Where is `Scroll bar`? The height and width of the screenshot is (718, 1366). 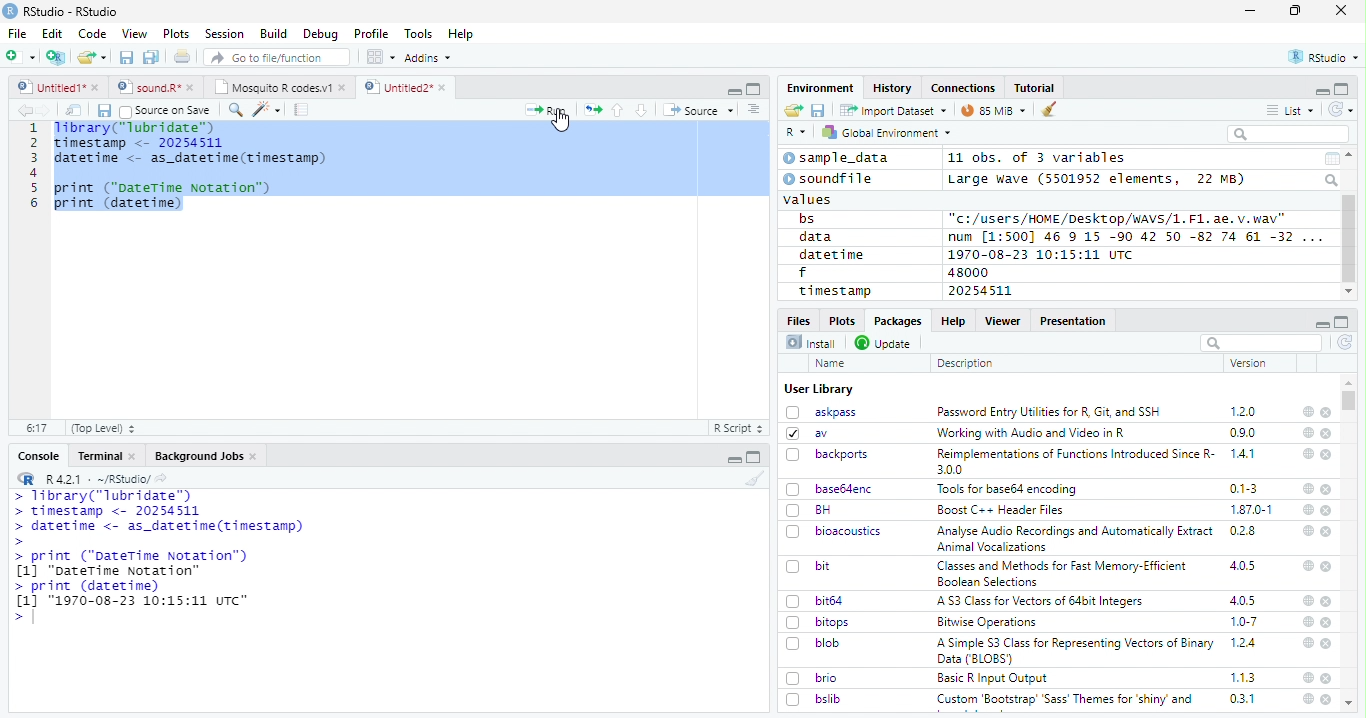 Scroll bar is located at coordinates (1350, 239).